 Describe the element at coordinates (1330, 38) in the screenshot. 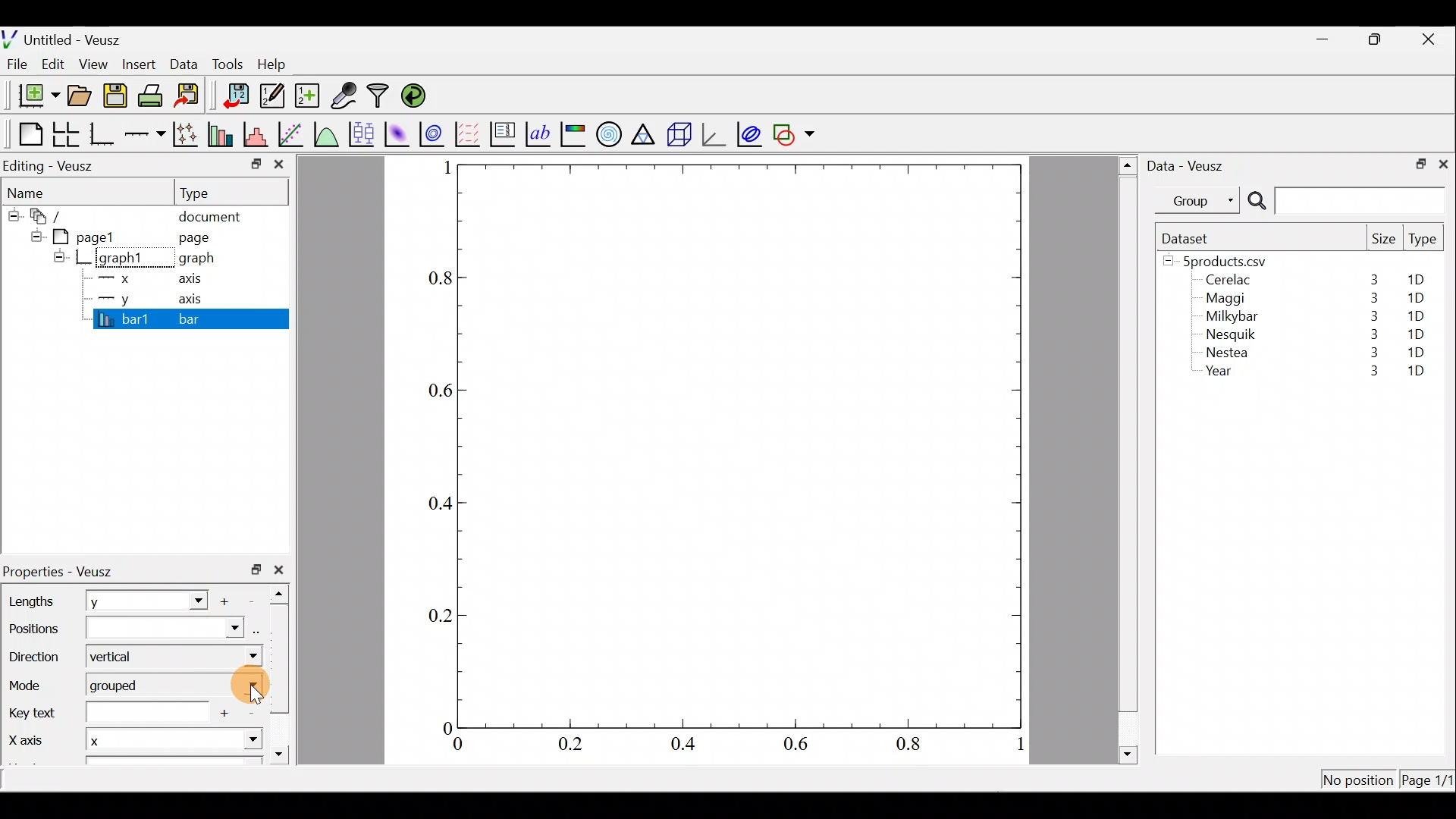

I see `minimize` at that location.